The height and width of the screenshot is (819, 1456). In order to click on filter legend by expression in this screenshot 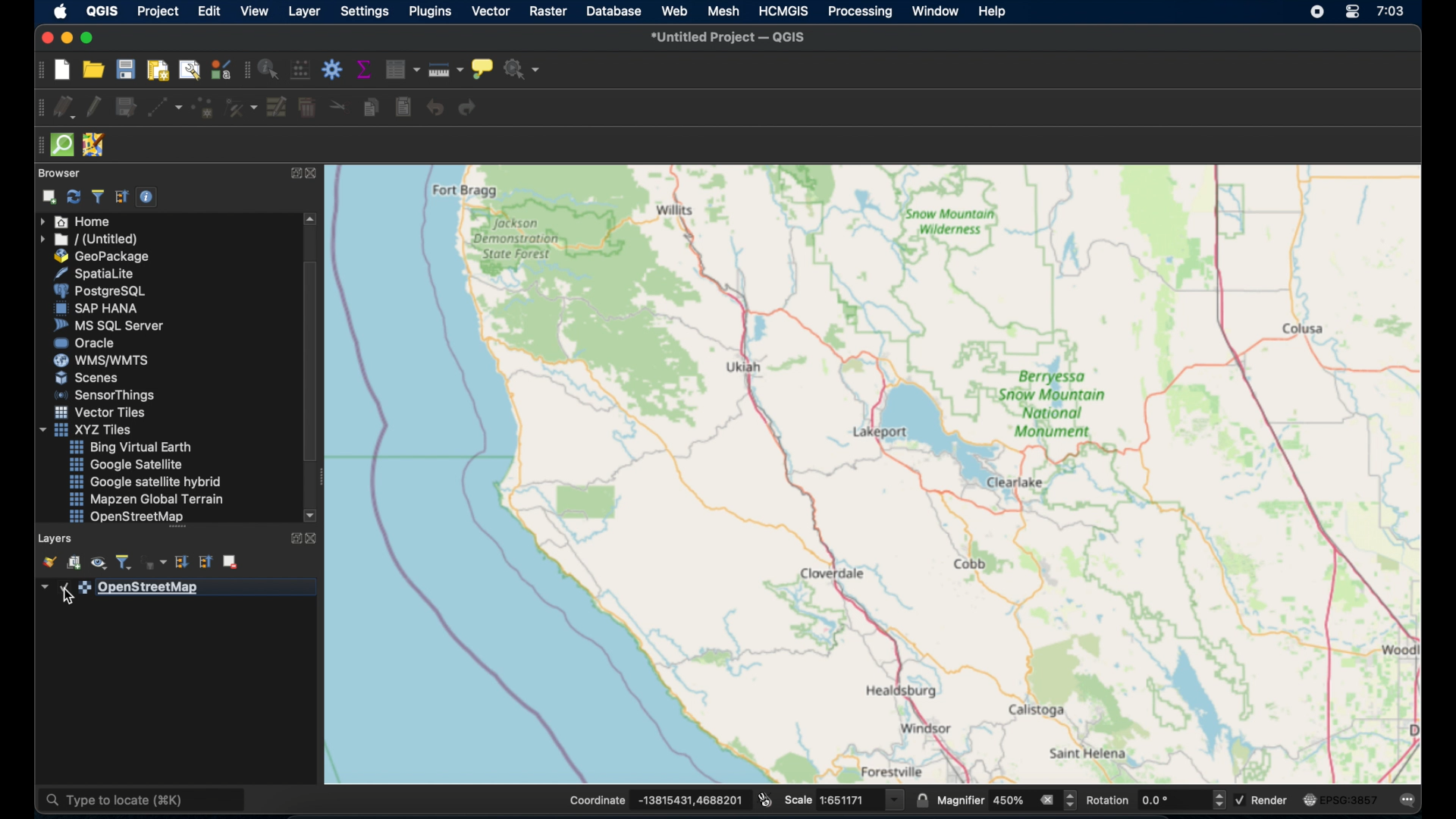, I will do `click(155, 560)`.